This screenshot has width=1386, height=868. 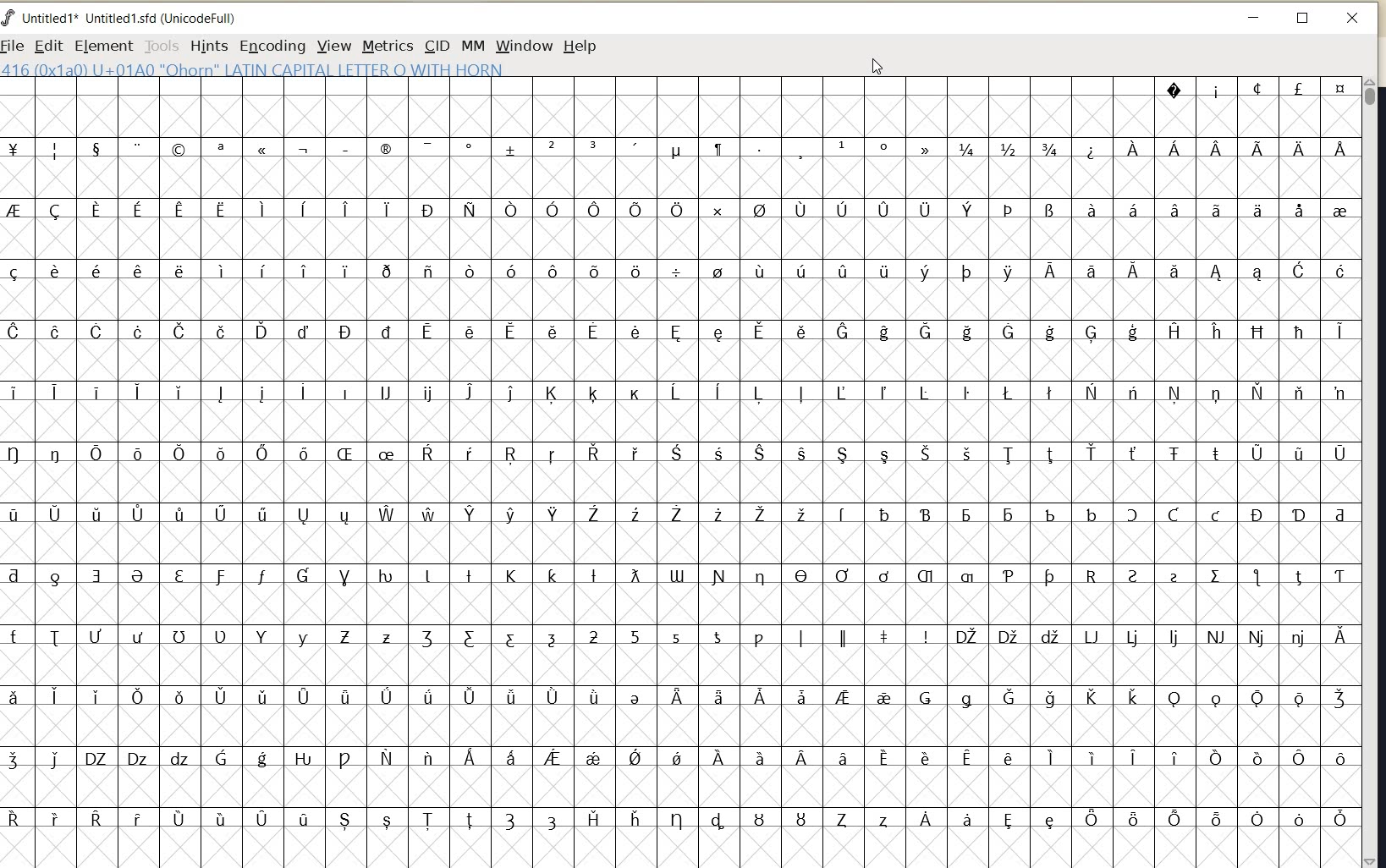 I want to click on TOOLS, so click(x=160, y=47).